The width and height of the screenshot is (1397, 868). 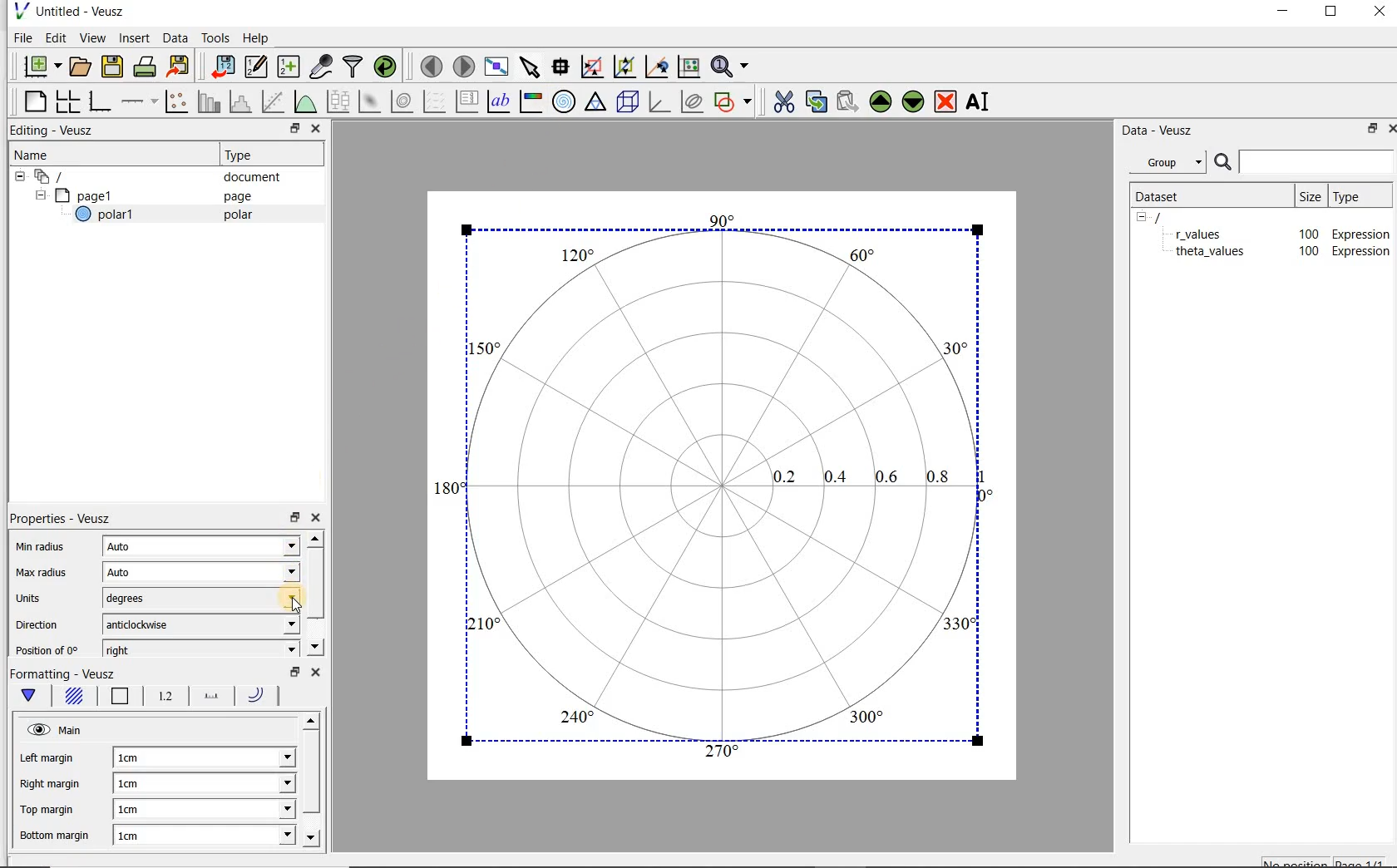 I want to click on Help, so click(x=258, y=37).